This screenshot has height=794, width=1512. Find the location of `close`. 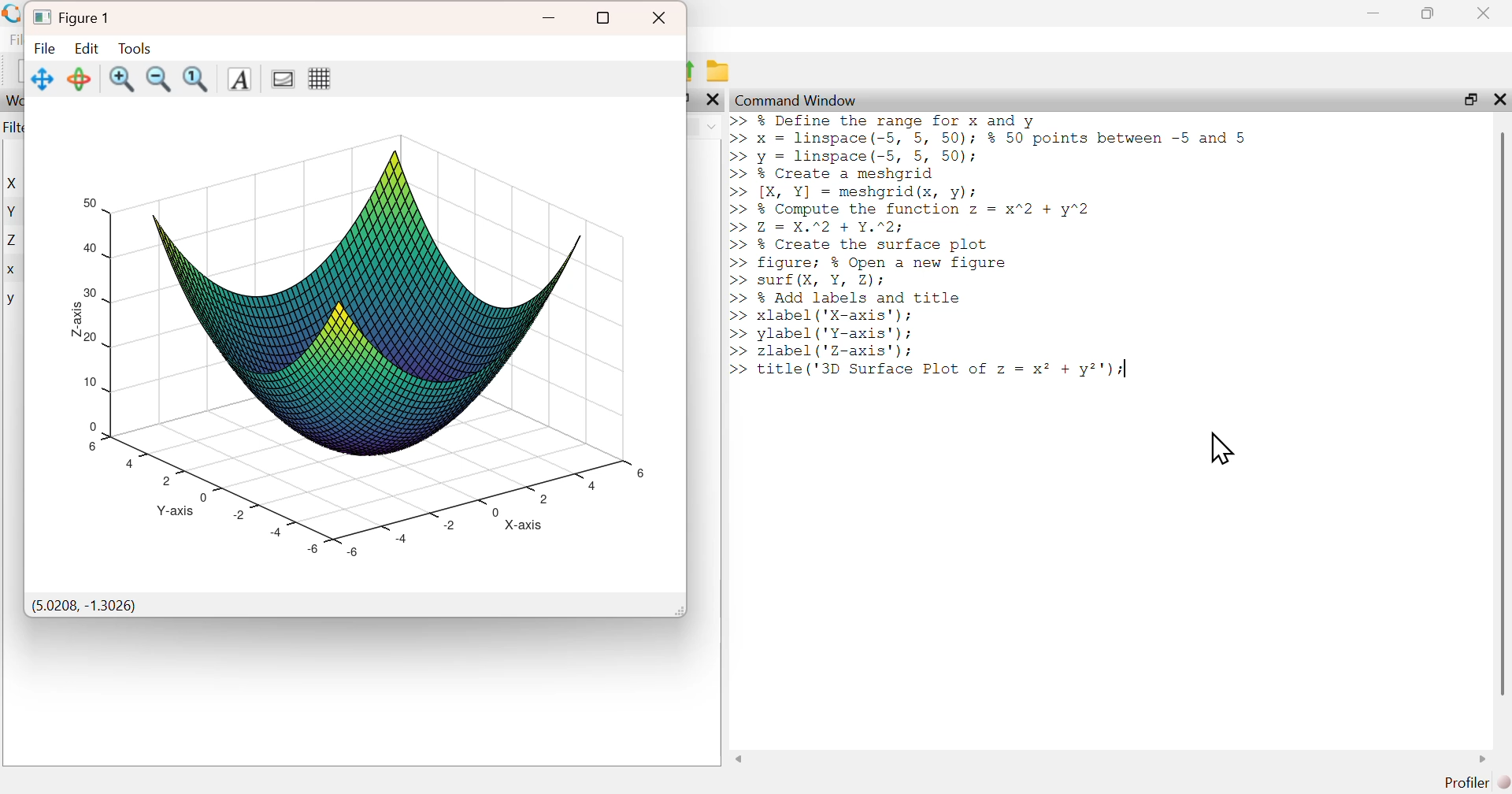

close is located at coordinates (661, 18).